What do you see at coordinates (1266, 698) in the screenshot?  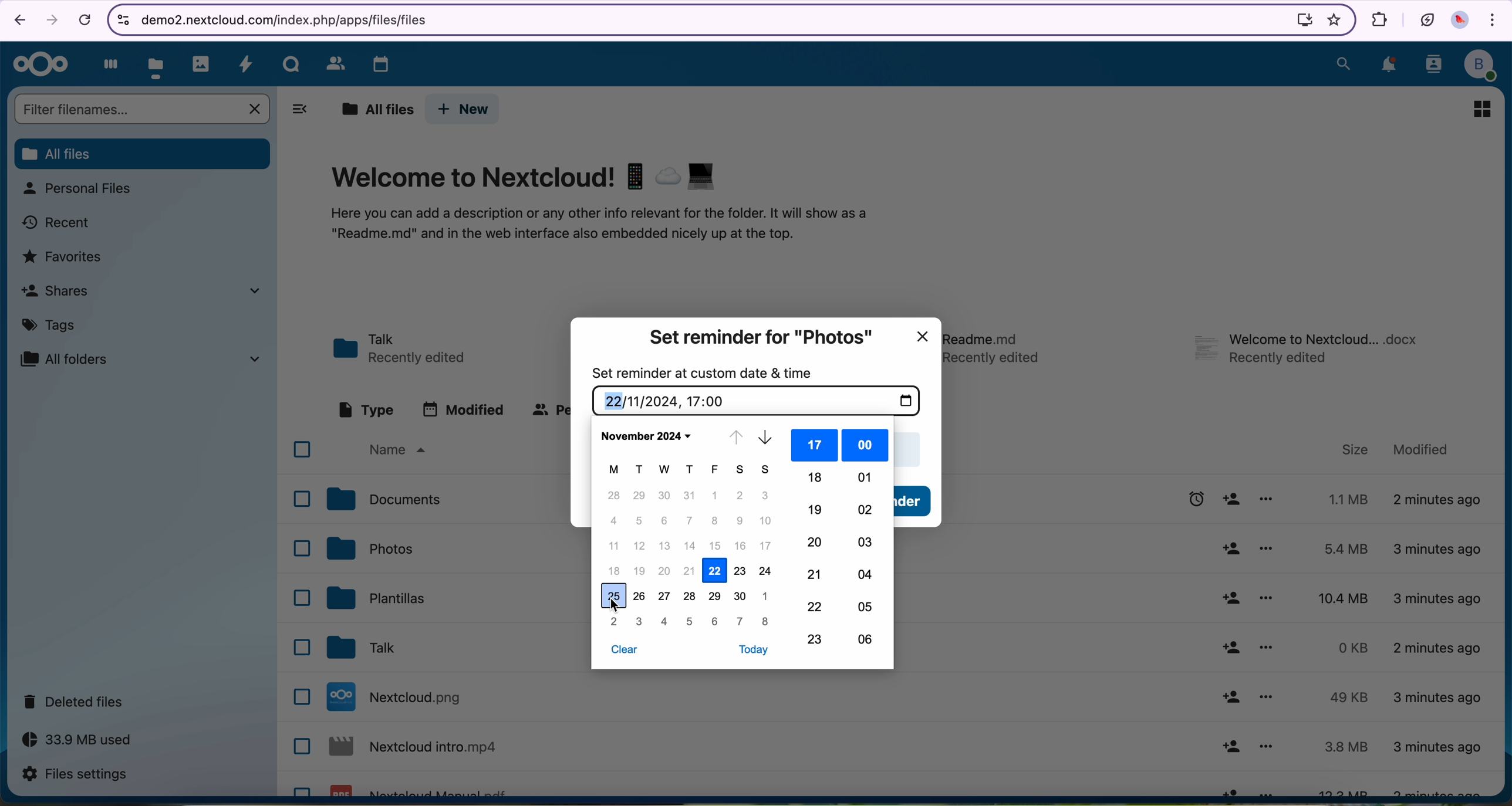 I see `more options` at bounding box center [1266, 698].